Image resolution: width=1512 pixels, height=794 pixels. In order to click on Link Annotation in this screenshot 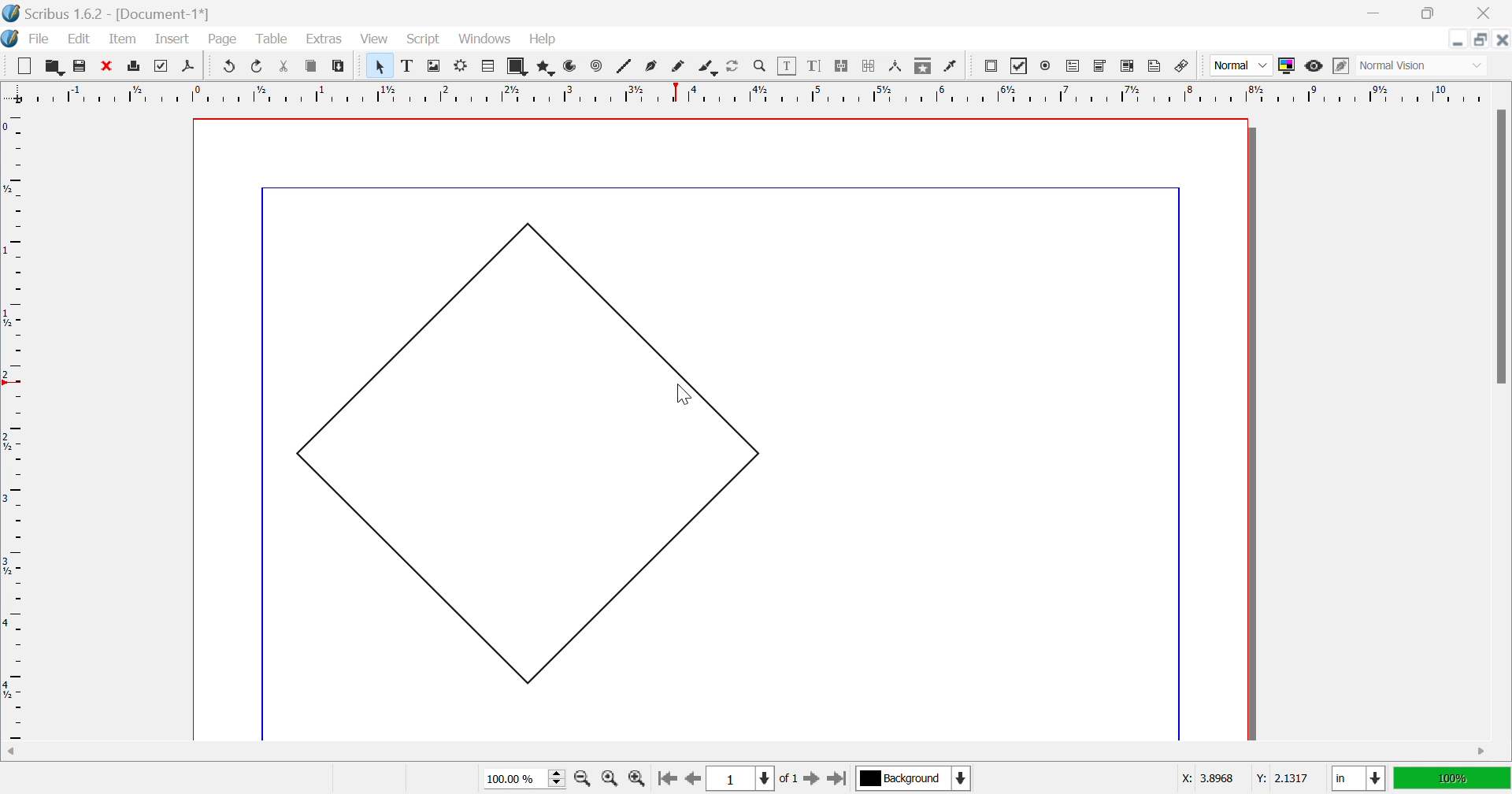, I will do `click(1182, 68)`.